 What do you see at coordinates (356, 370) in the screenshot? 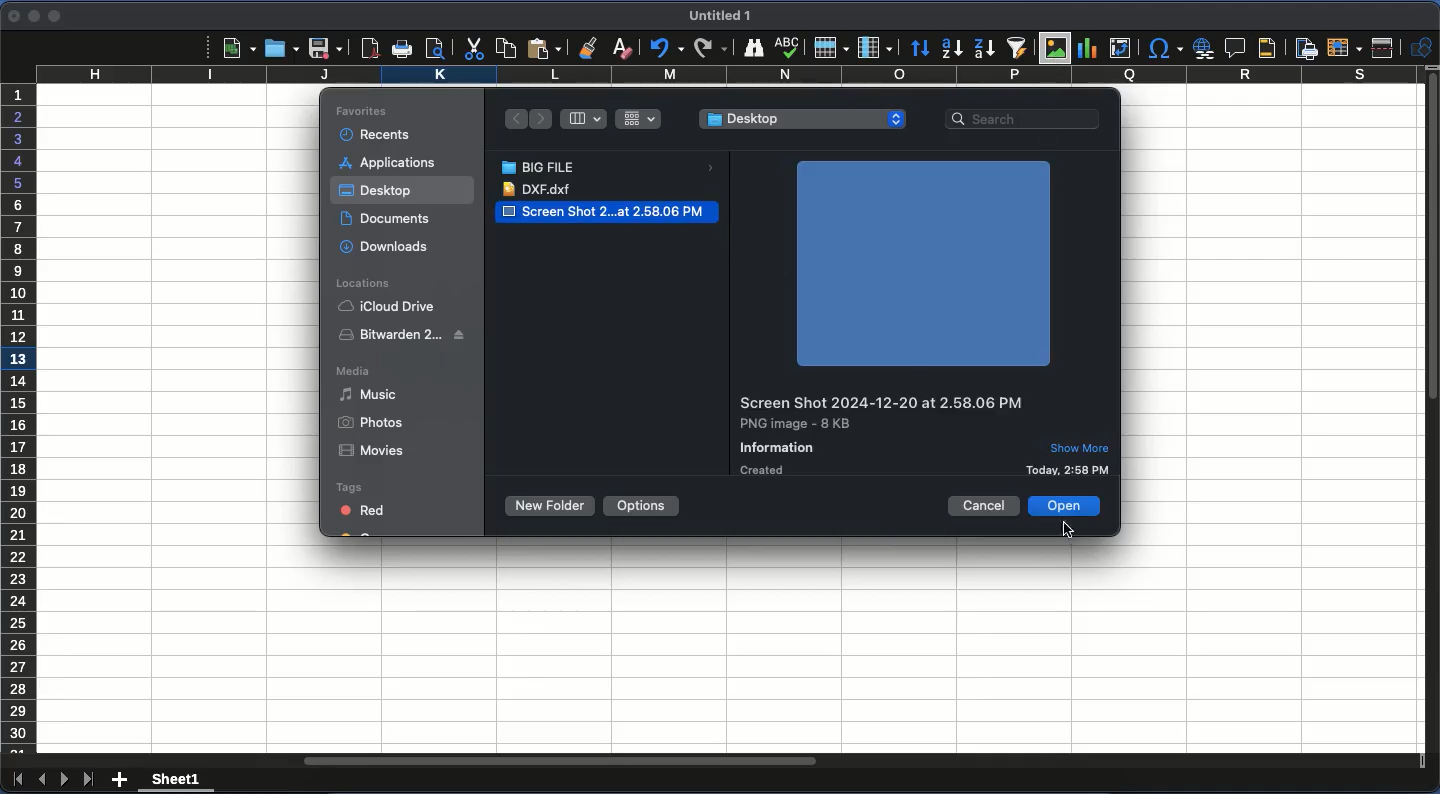
I see `media` at bounding box center [356, 370].